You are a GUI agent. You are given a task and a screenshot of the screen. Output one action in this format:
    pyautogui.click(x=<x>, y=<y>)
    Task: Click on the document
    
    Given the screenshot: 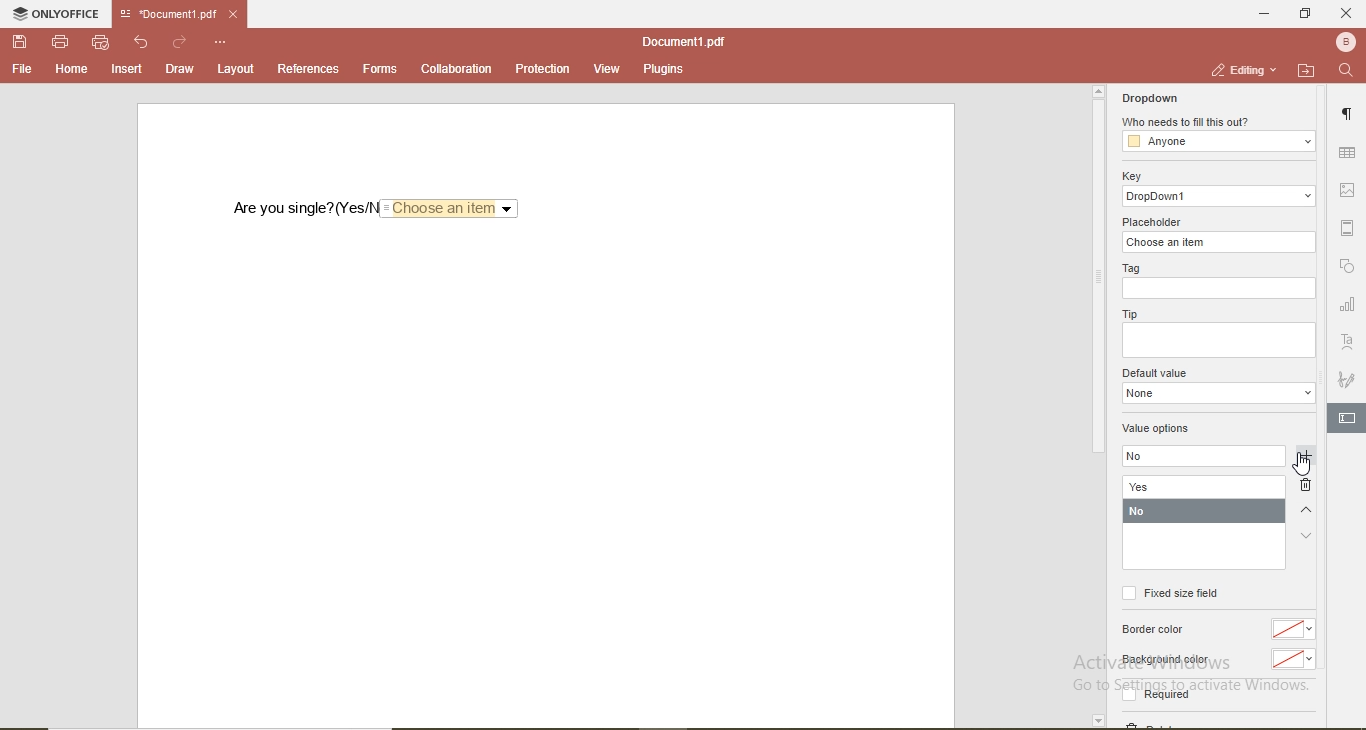 What is the action you would take?
    pyautogui.click(x=681, y=41)
    